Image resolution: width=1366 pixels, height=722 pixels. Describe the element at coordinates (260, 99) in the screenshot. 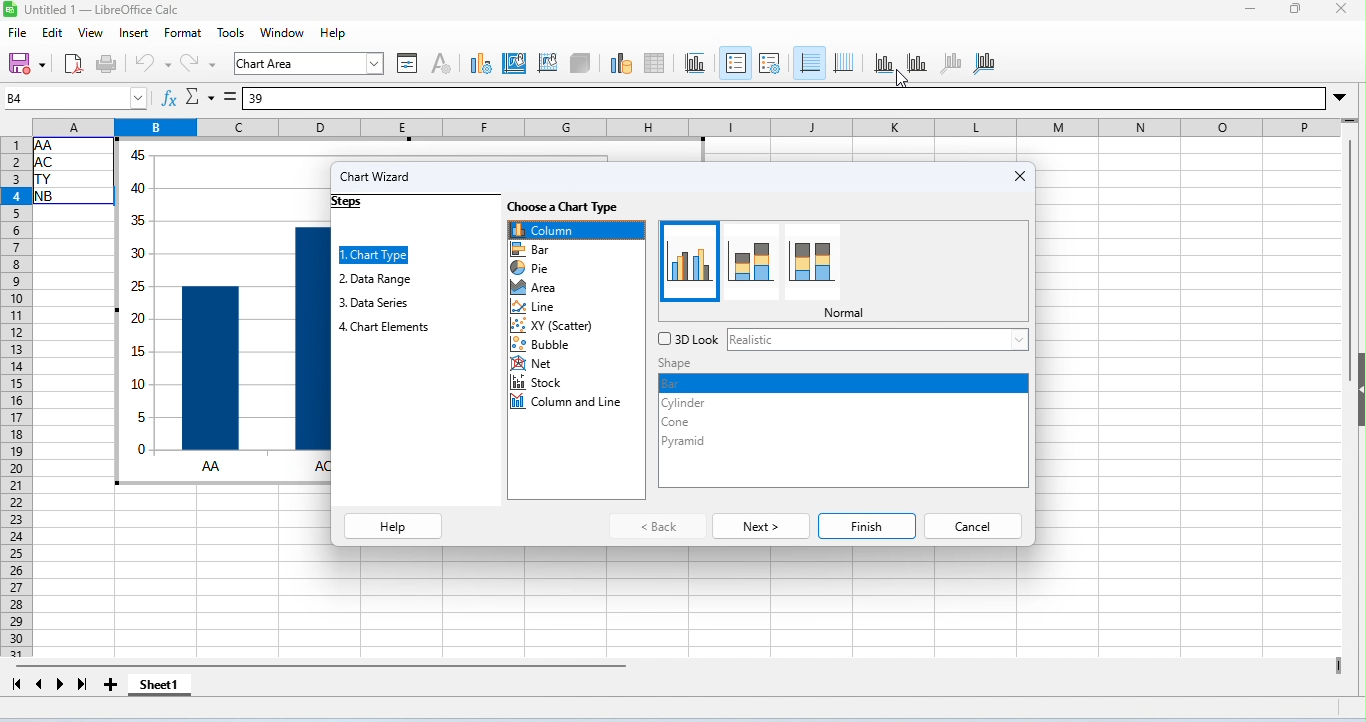

I see `39` at that location.